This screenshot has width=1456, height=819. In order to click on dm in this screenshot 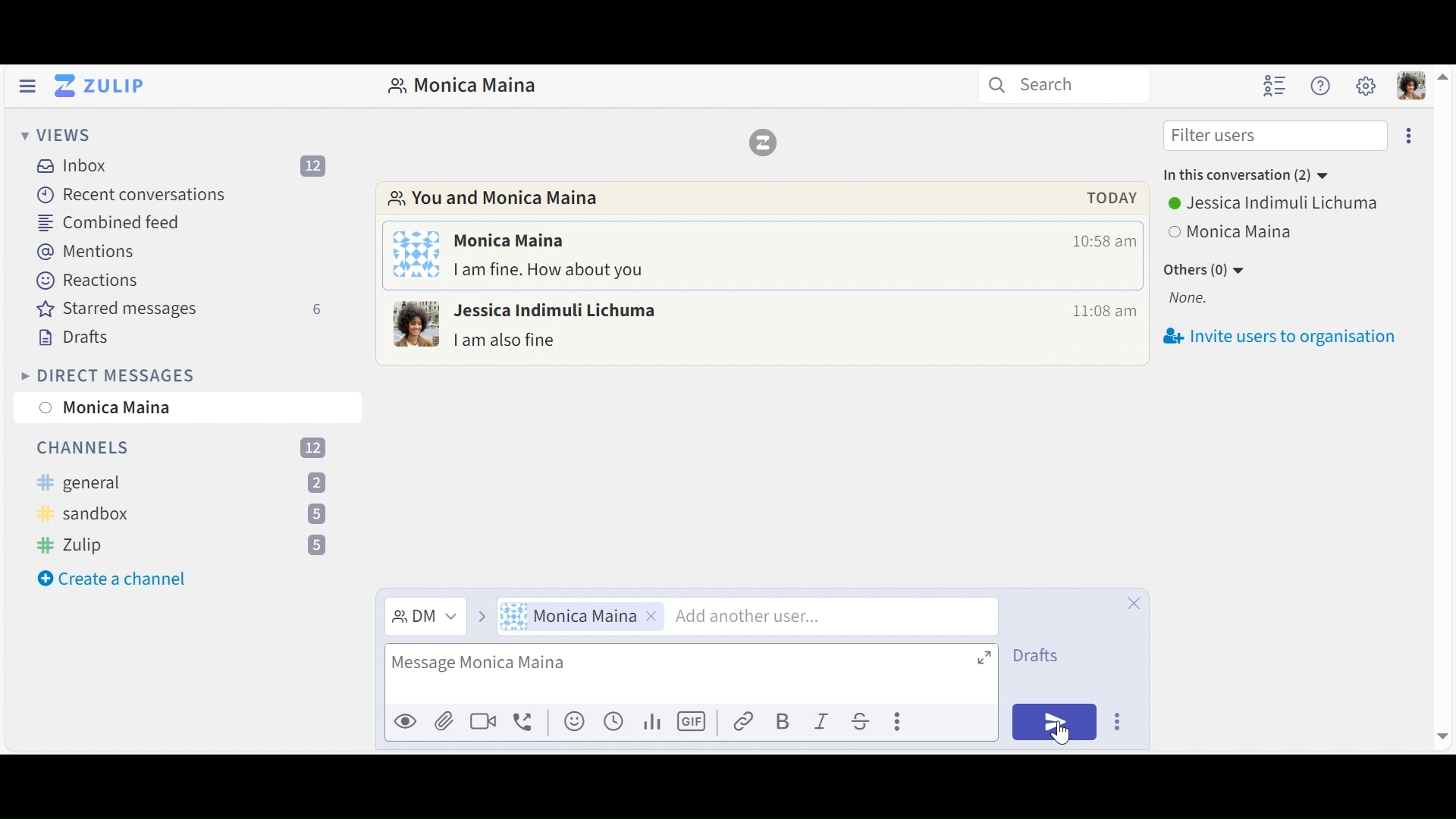, I will do `click(758, 259)`.